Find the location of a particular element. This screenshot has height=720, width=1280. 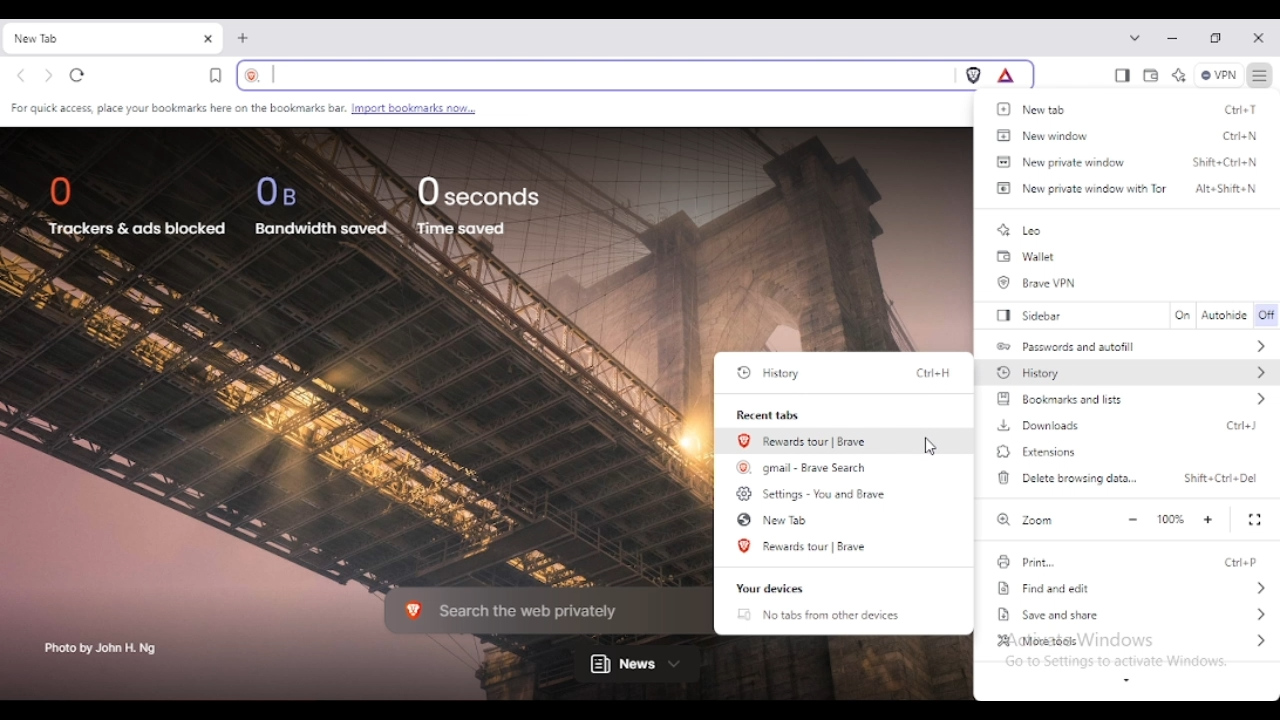

shortcut for new private window is located at coordinates (1226, 161).